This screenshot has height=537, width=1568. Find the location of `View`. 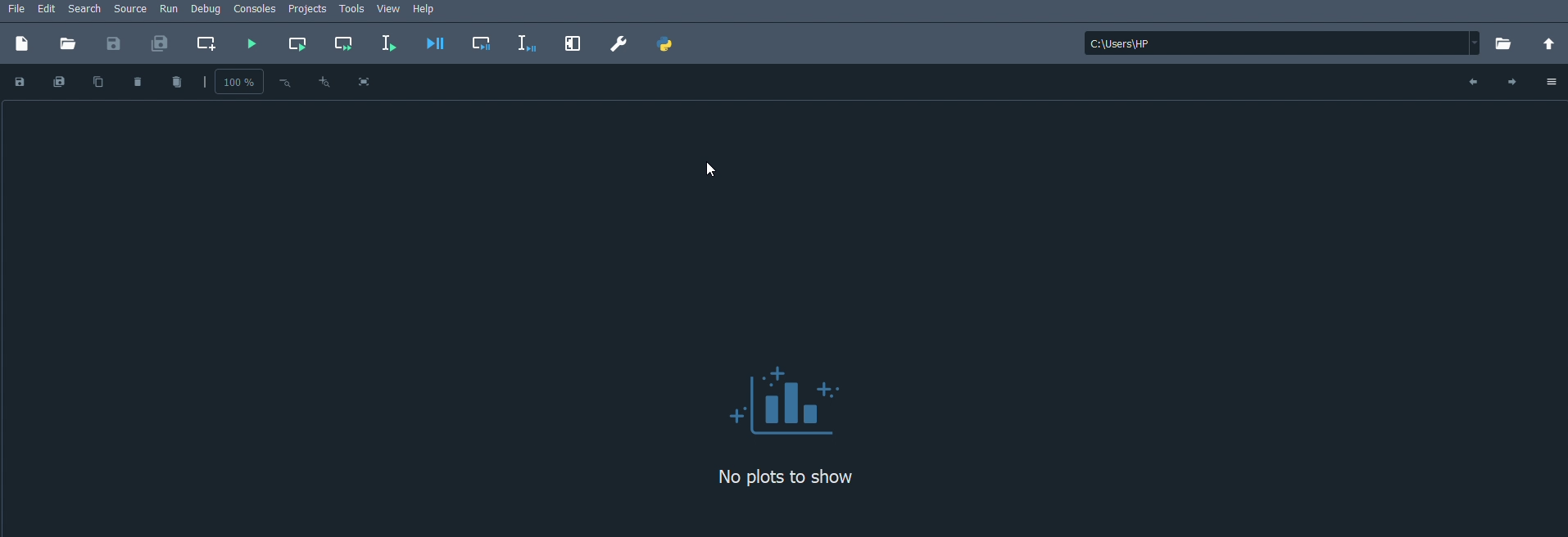

View is located at coordinates (390, 10).